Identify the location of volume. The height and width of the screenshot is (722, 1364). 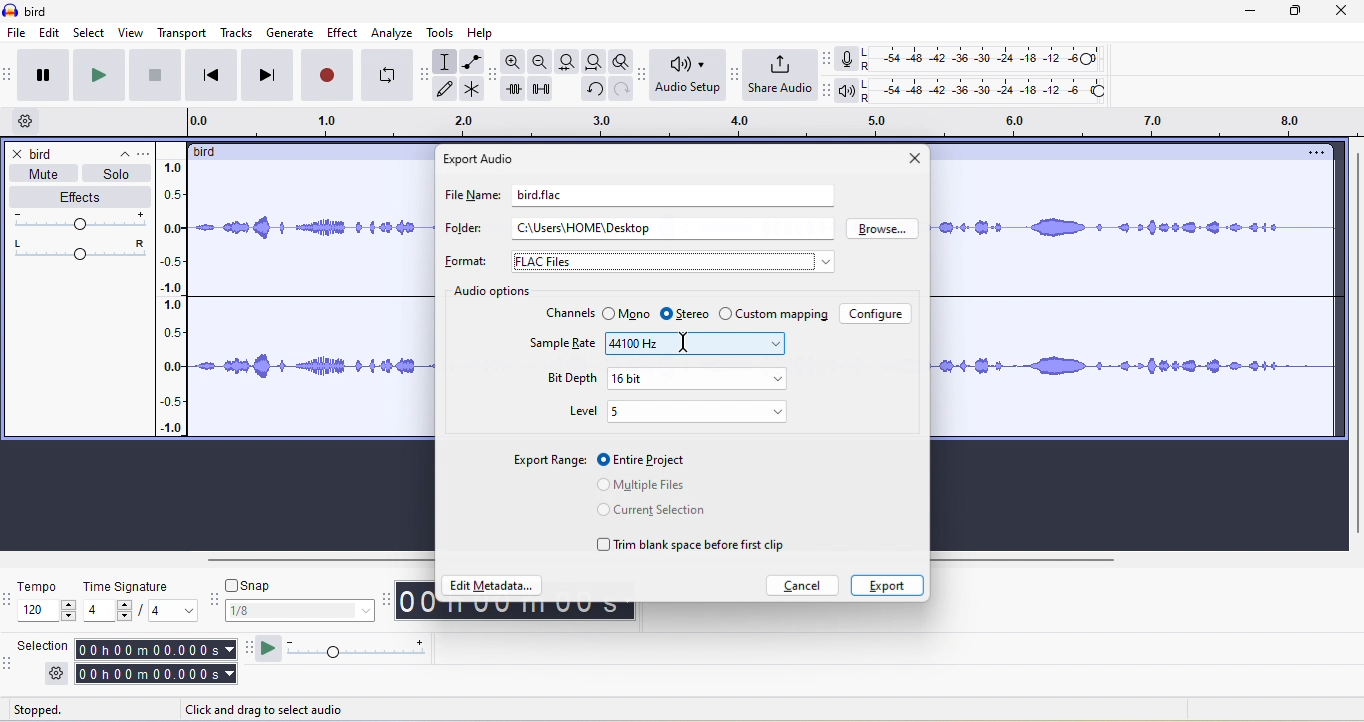
(83, 221).